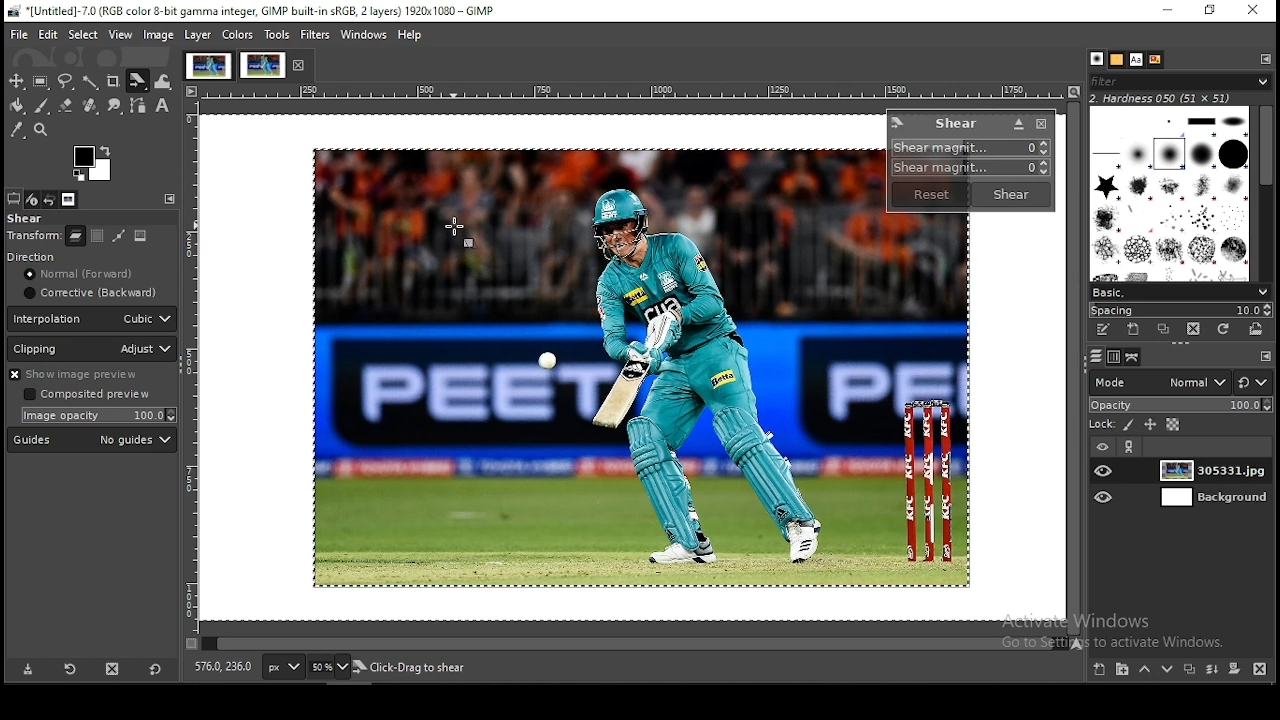  Describe the element at coordinates (1174, 426) in the screenshot. I see `lock alpha channel` at that location.